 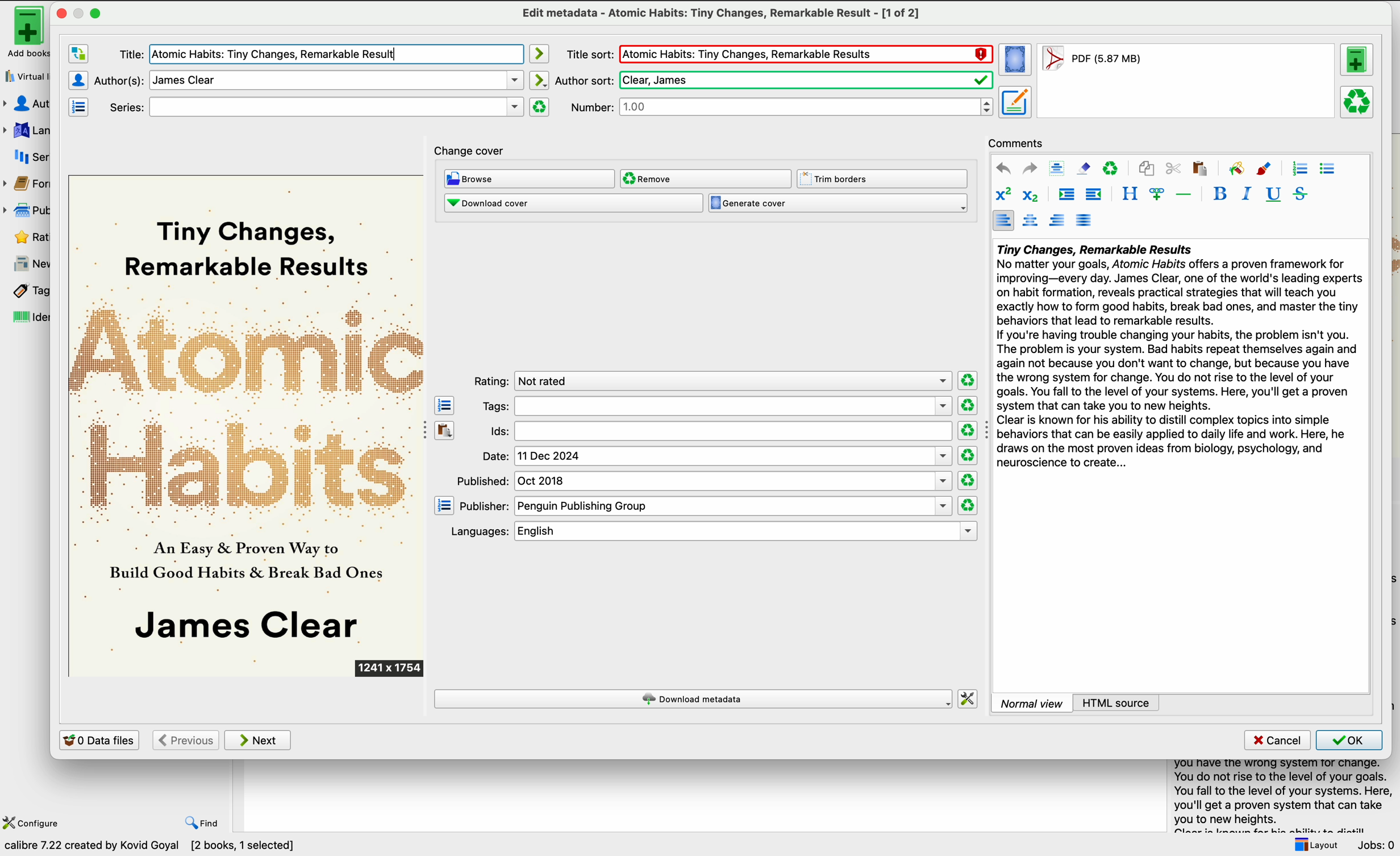 I want to click on change cover, so click(x=472, y=148).